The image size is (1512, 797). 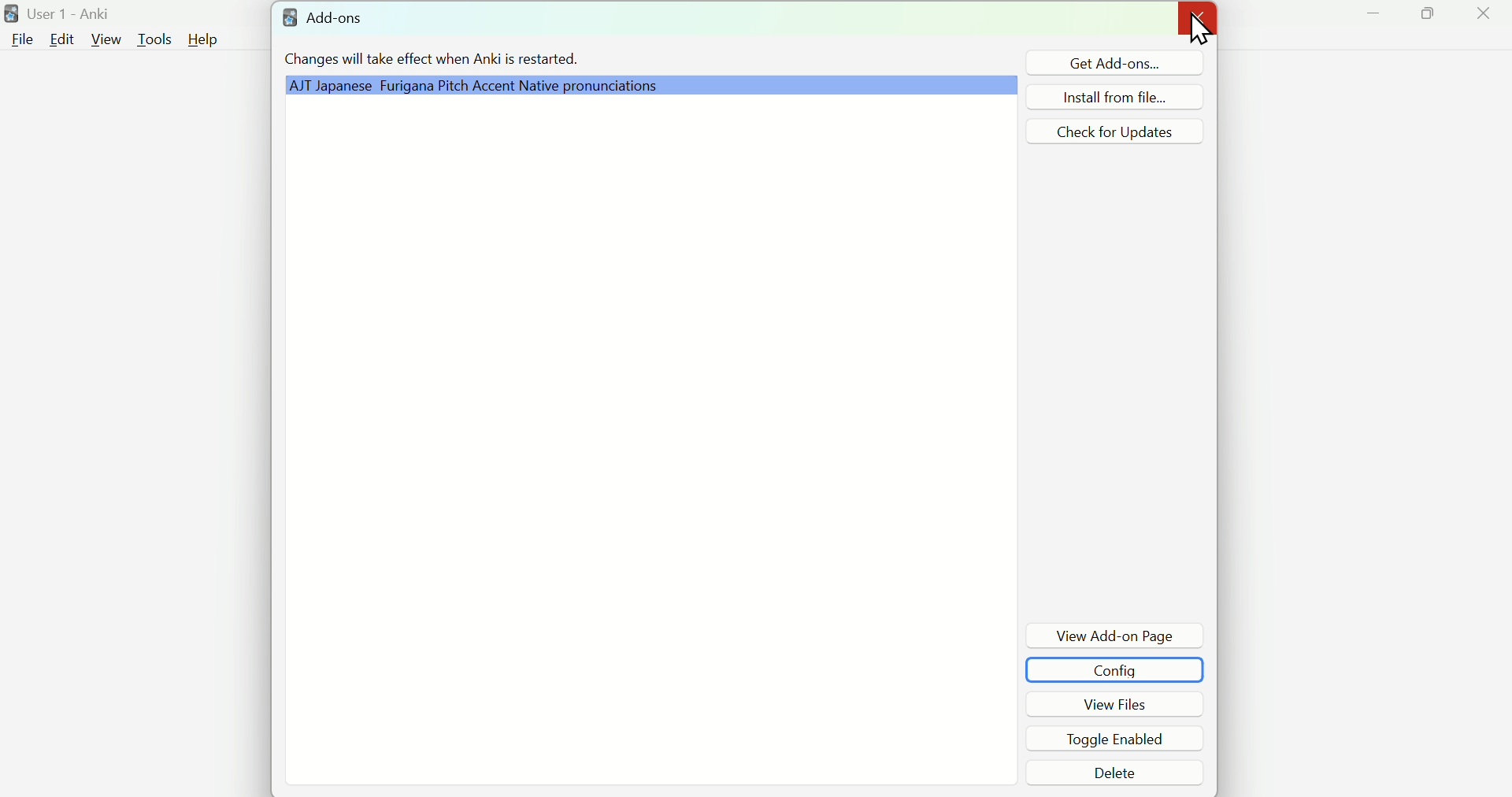 I want to click on Changes will take effect when Anki is restarted, so click(x=440, y=61).